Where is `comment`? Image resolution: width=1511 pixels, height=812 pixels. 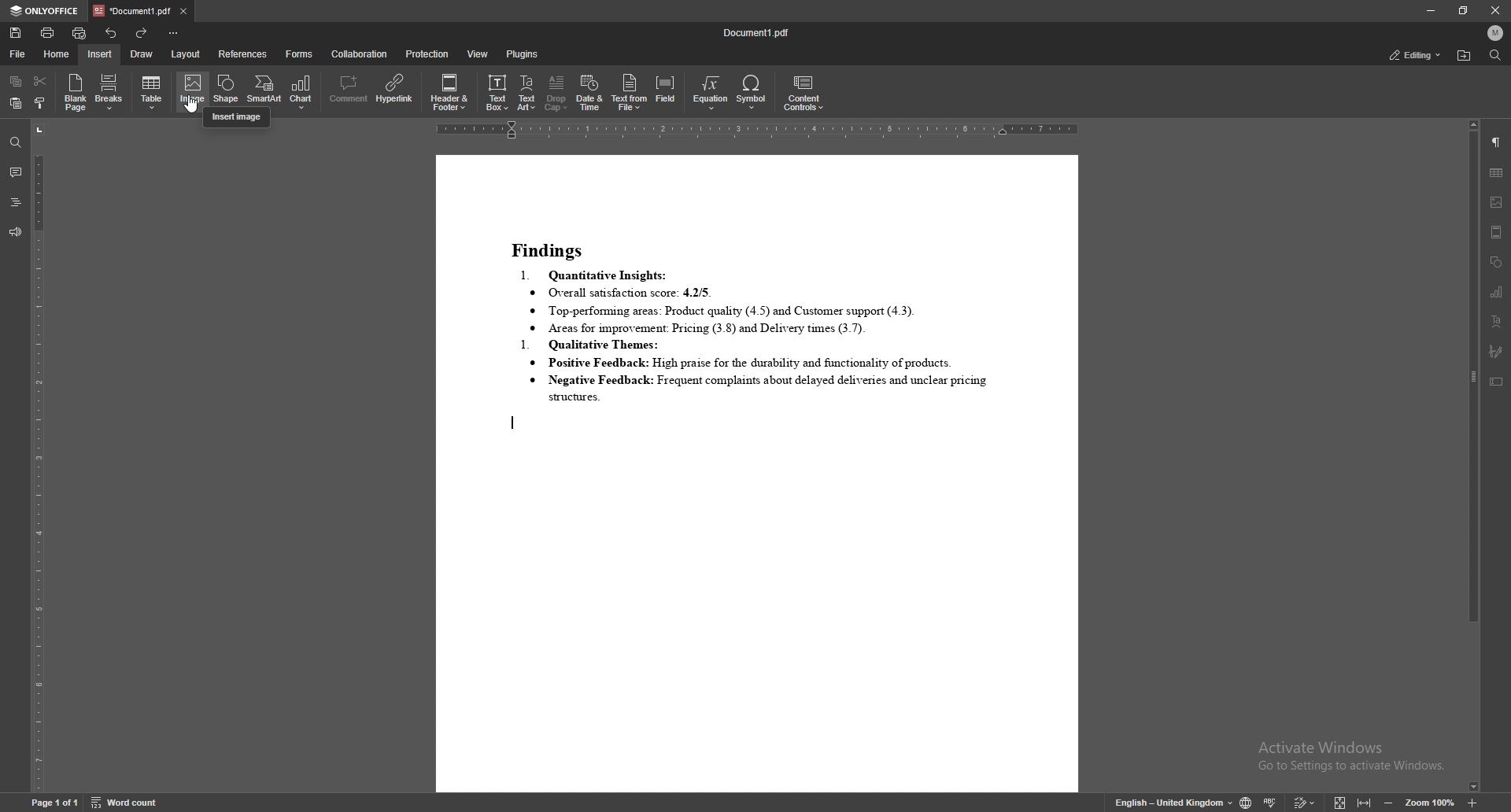
comment is located at coordinates (16, 174).